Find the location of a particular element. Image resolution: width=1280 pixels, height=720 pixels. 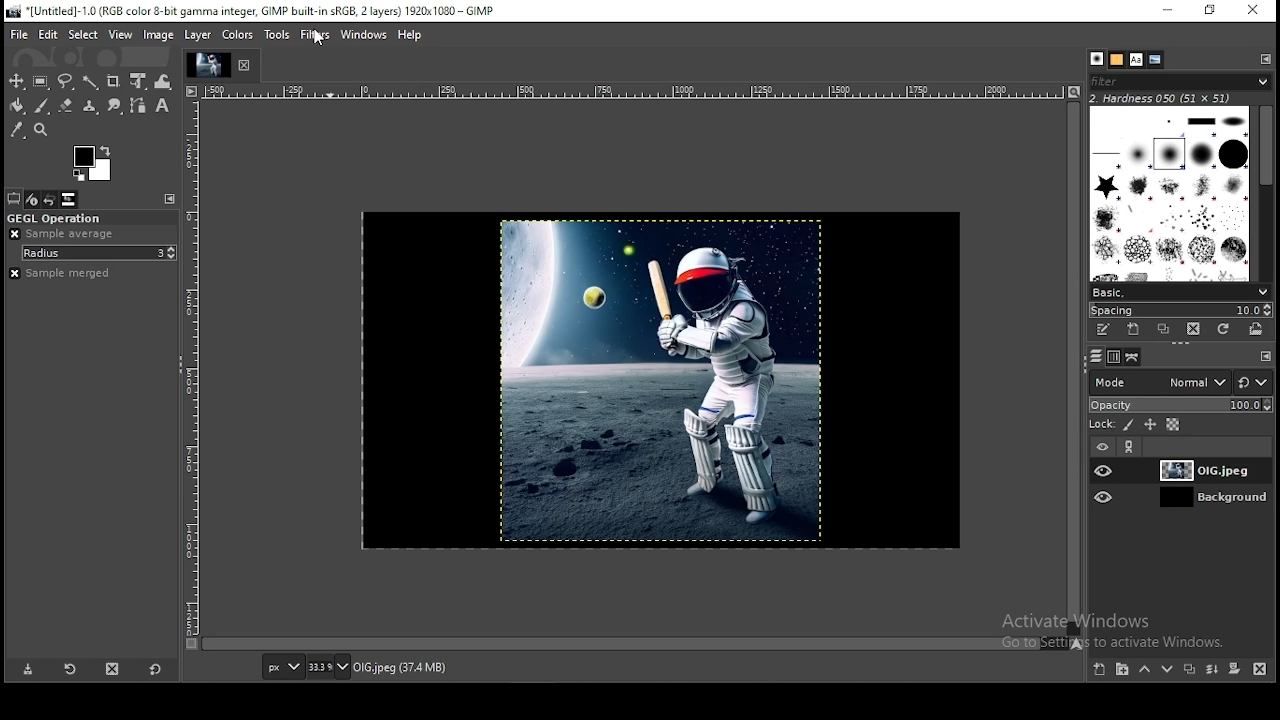

warp transform is located at coordinates (163, 80).